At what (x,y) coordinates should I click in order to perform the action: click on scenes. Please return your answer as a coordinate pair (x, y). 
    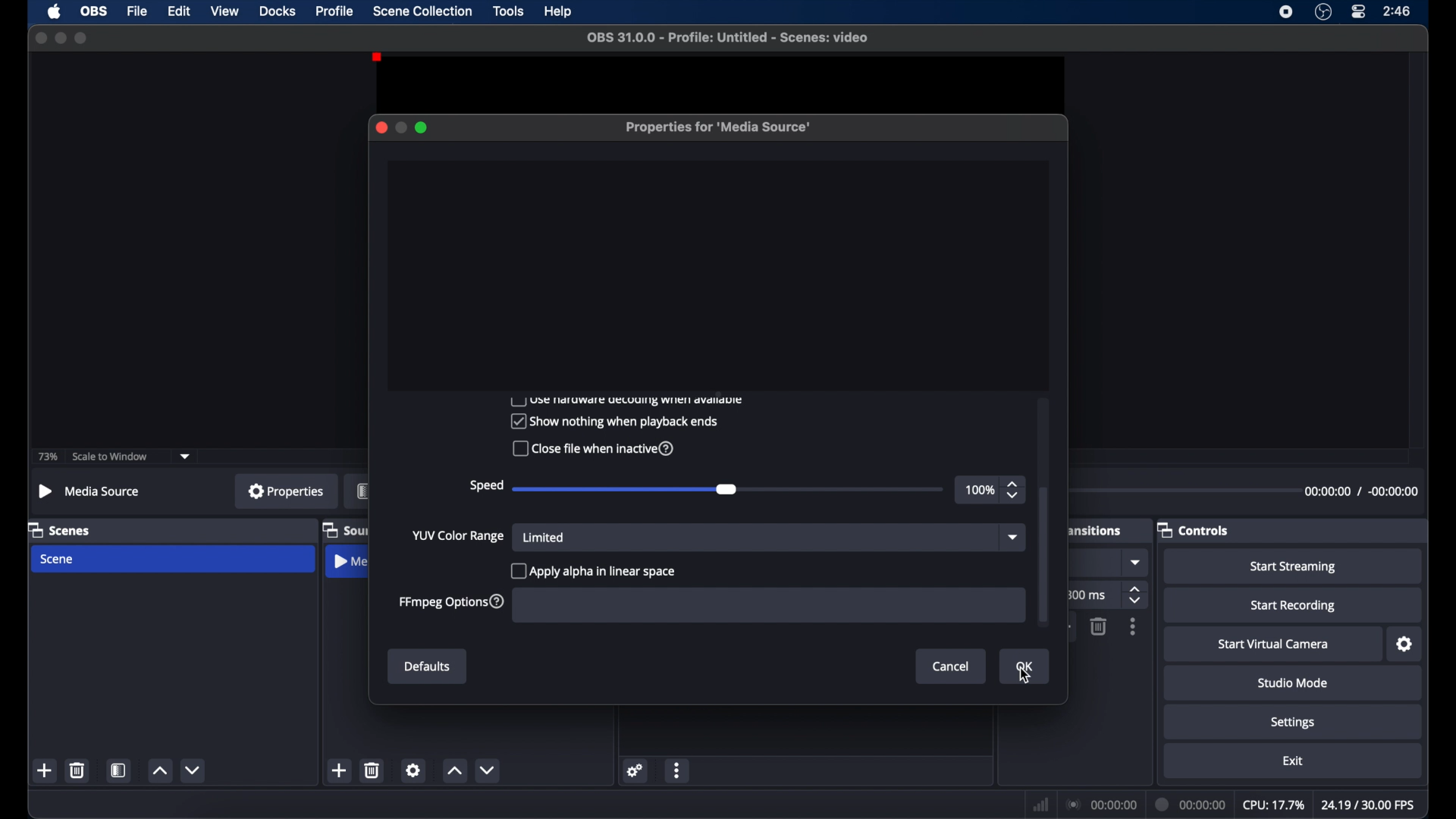
    Looking at the image, I should click on (60, 529).